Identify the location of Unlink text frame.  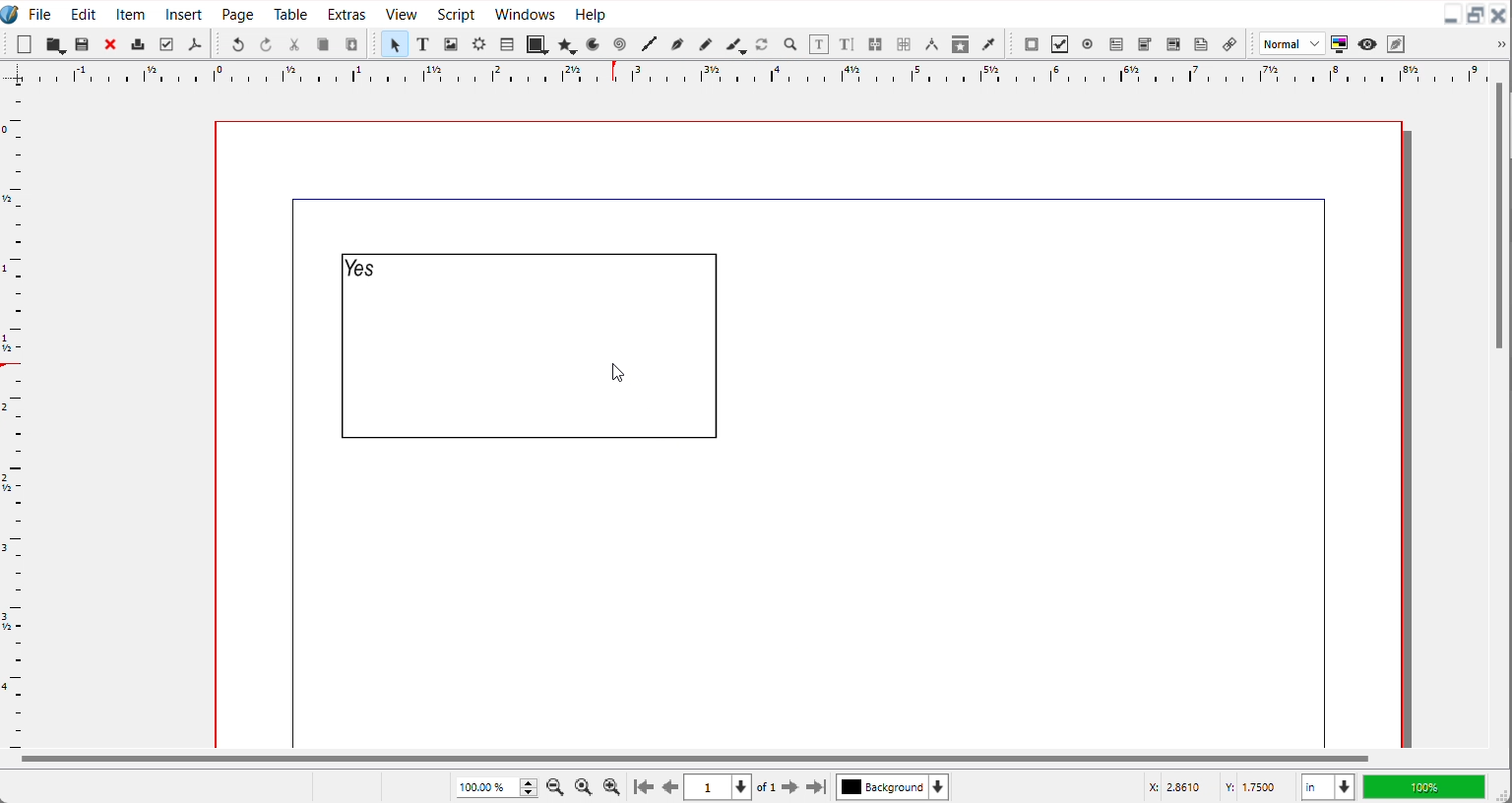
(903, 44).